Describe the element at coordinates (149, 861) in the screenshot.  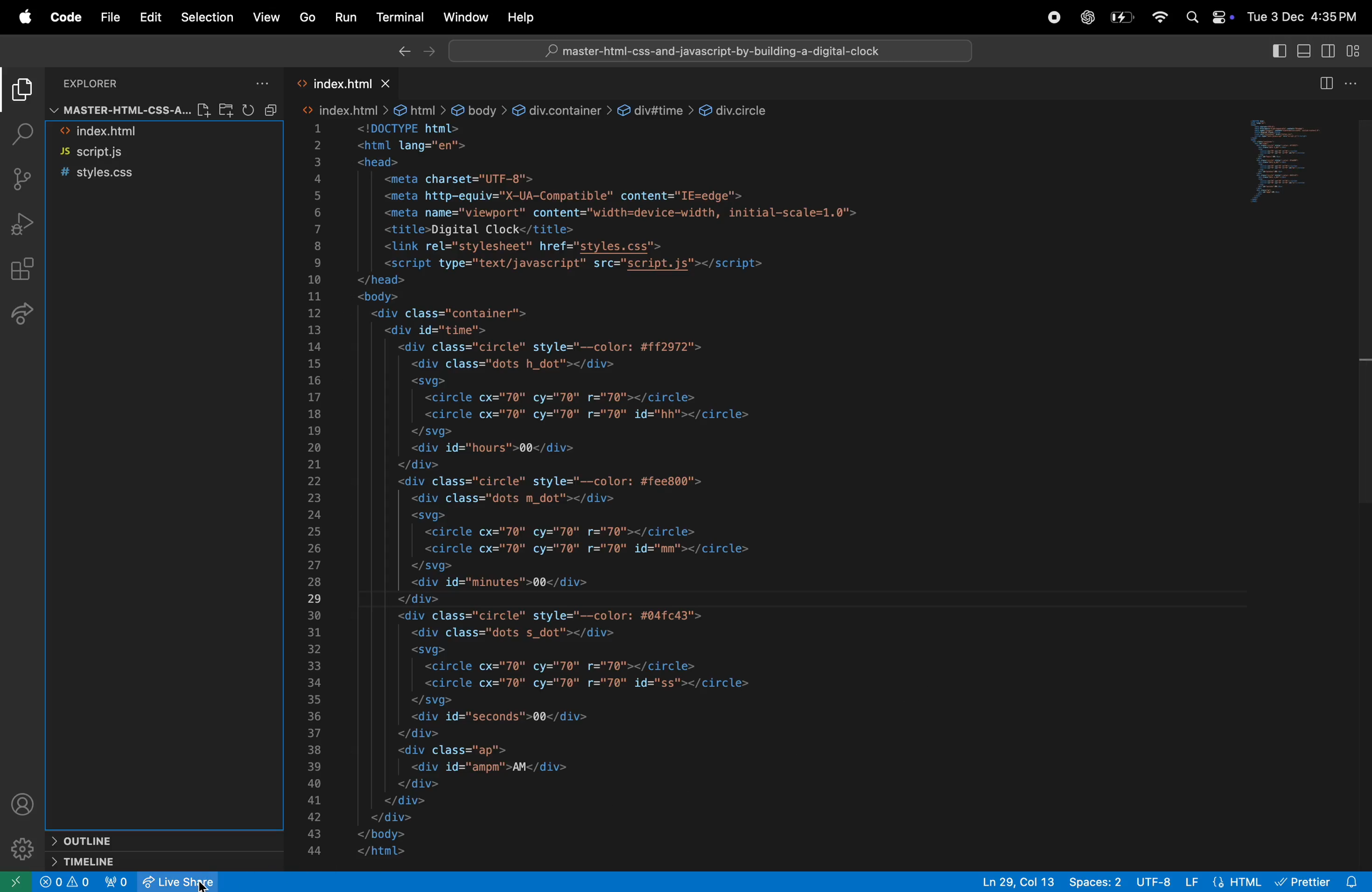
I see `timeline` at that location.